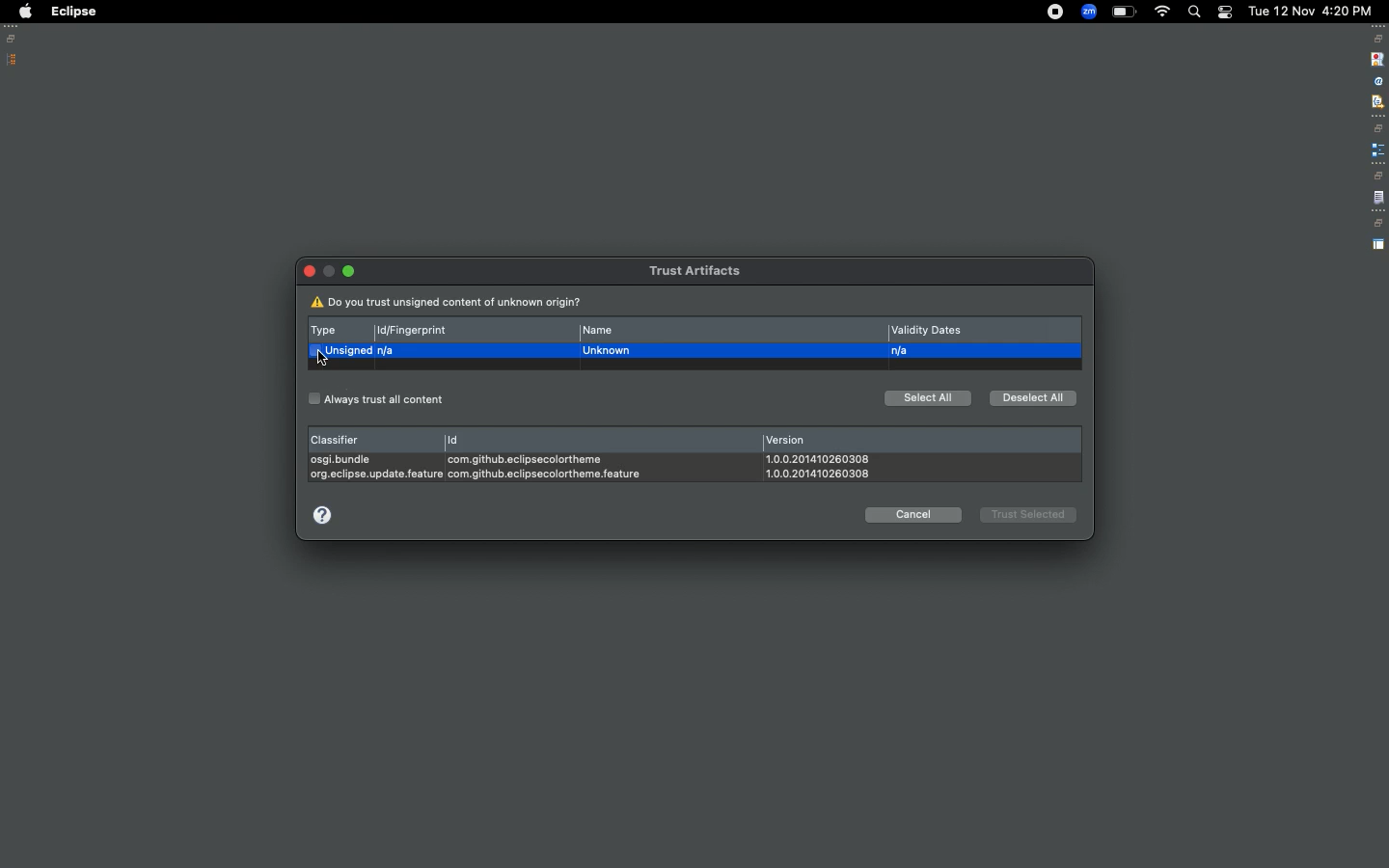 The height and width of the screenshot is (868, 1389). What do you see at coordinates (819, 454) in the screenshot?
I see `Version` at bounding box center [819, 454].